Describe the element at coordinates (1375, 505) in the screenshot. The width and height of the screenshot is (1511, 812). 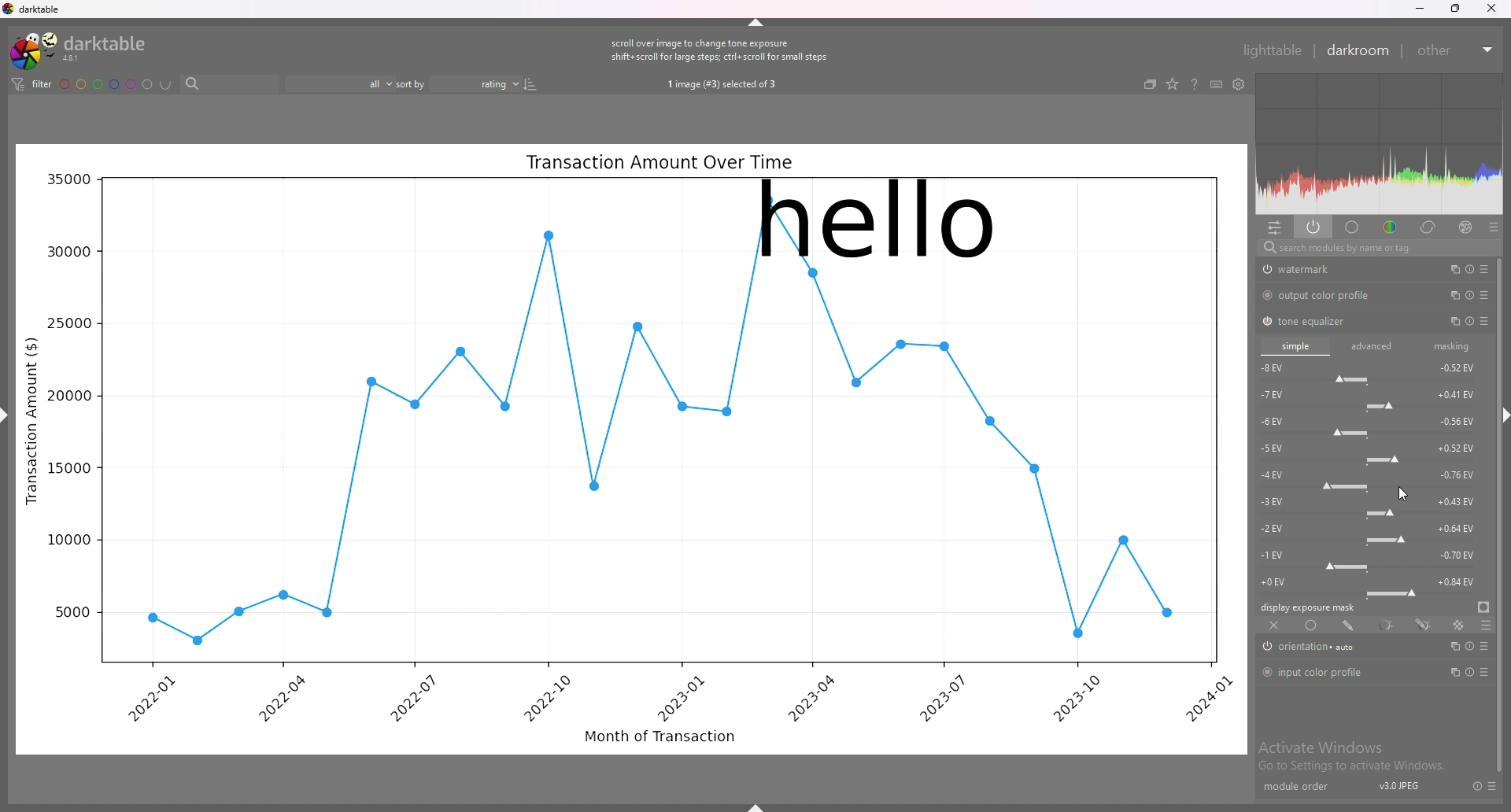
I see `-3 EV force` at that location.